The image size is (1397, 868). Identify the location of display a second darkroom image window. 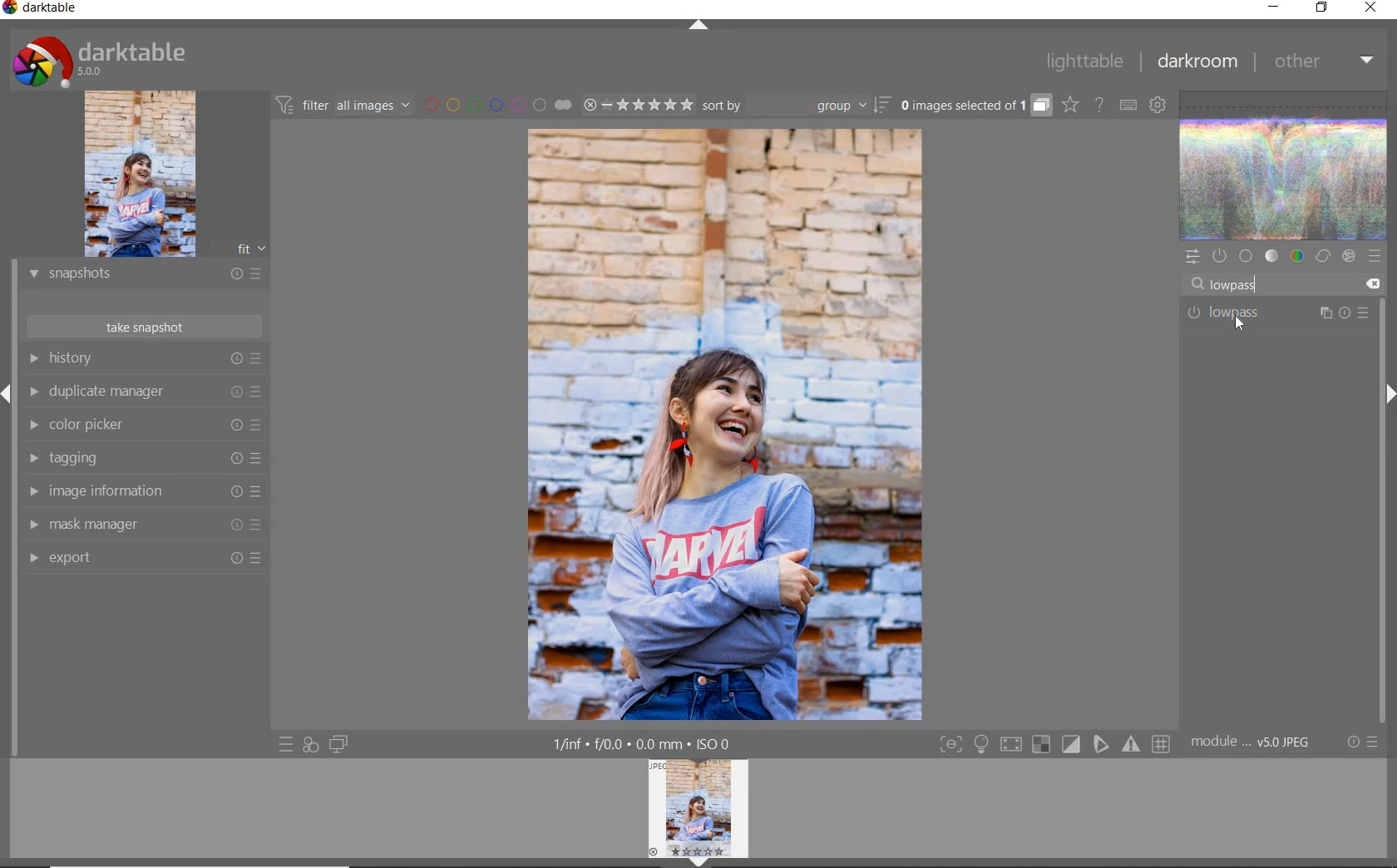
(339, 743).